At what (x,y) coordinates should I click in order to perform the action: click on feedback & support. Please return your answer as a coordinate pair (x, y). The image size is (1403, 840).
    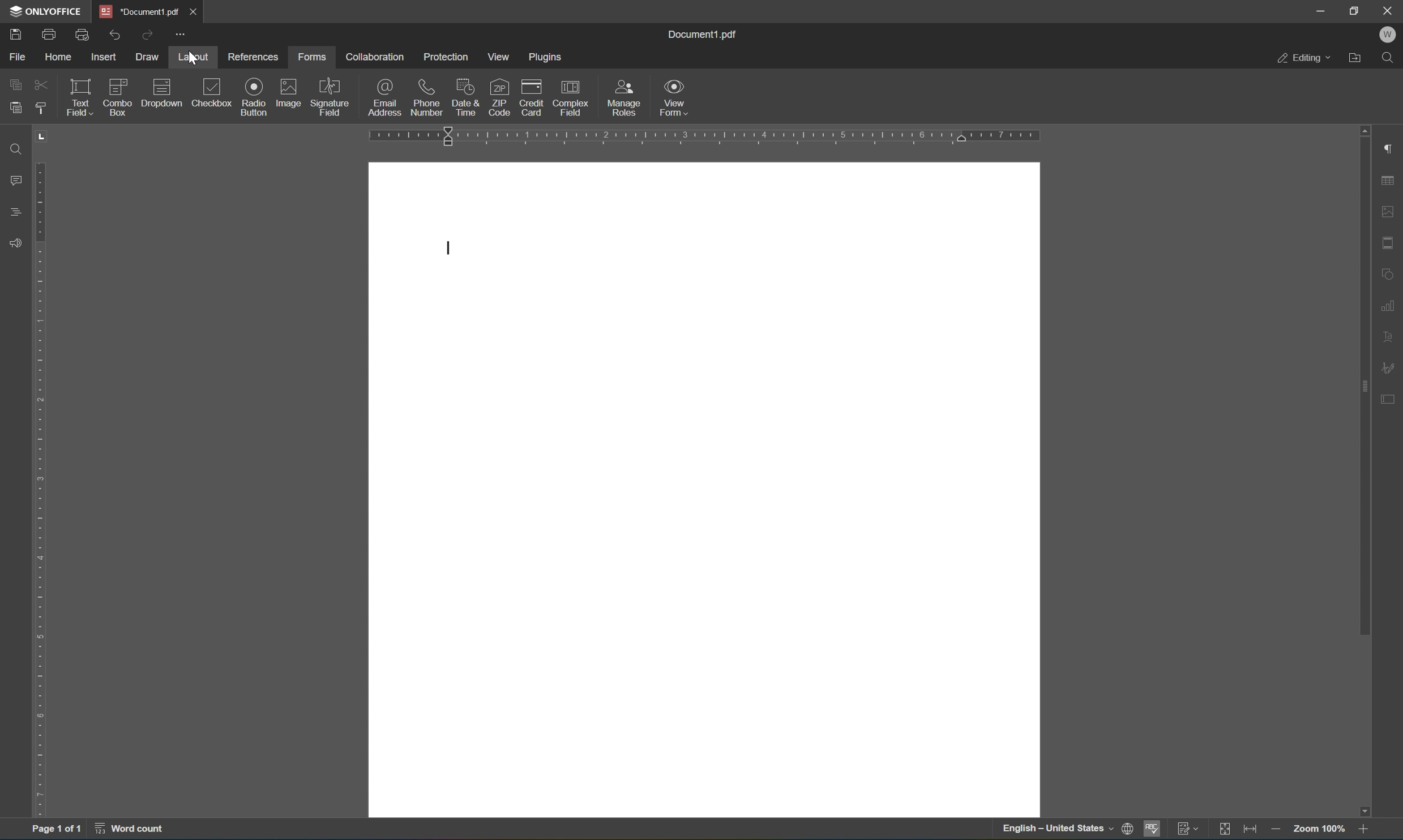
    Looking at the image, I should click on (12, 243).